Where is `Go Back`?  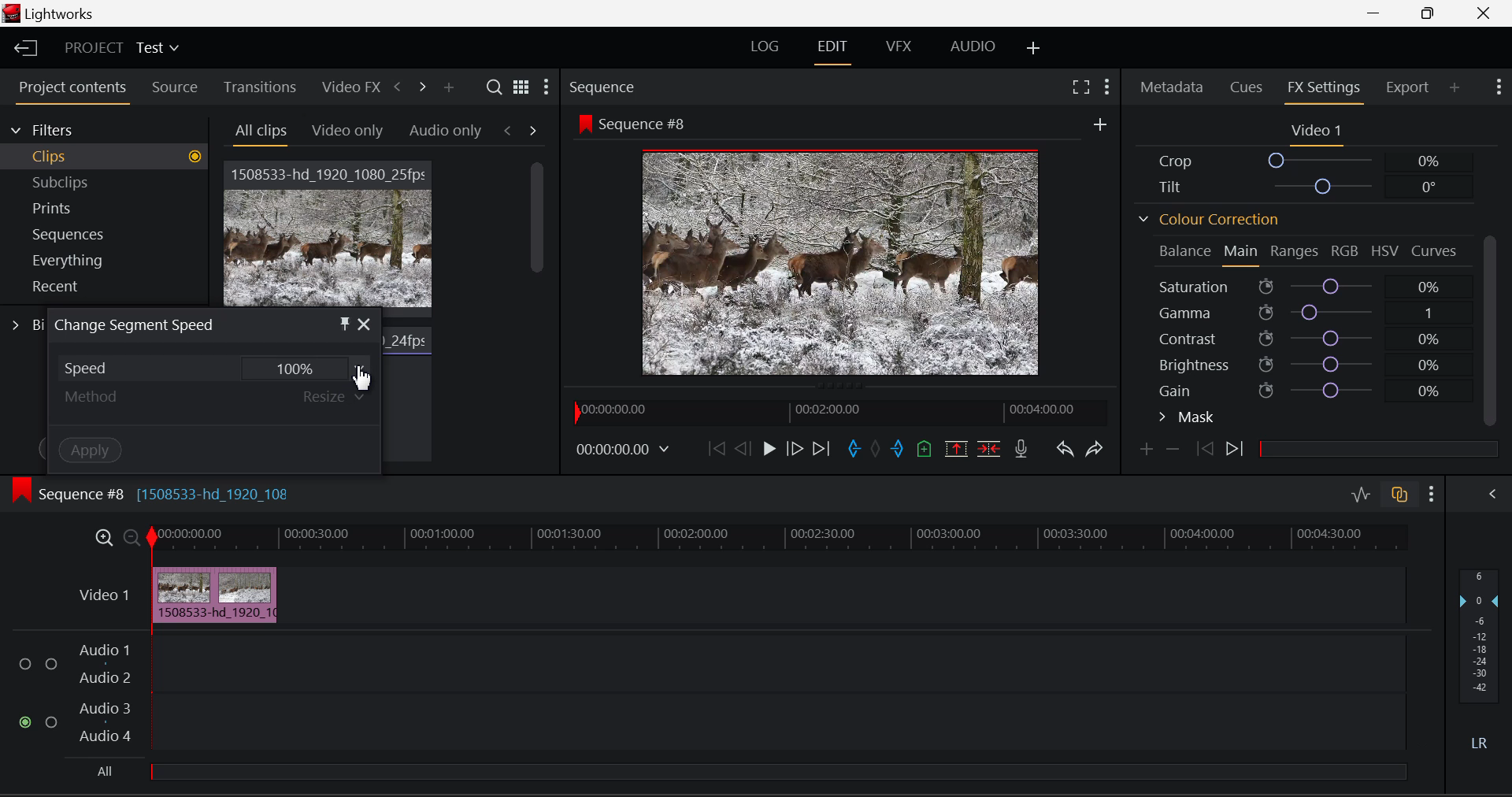 Go Back is located at coordinates (743, 449).